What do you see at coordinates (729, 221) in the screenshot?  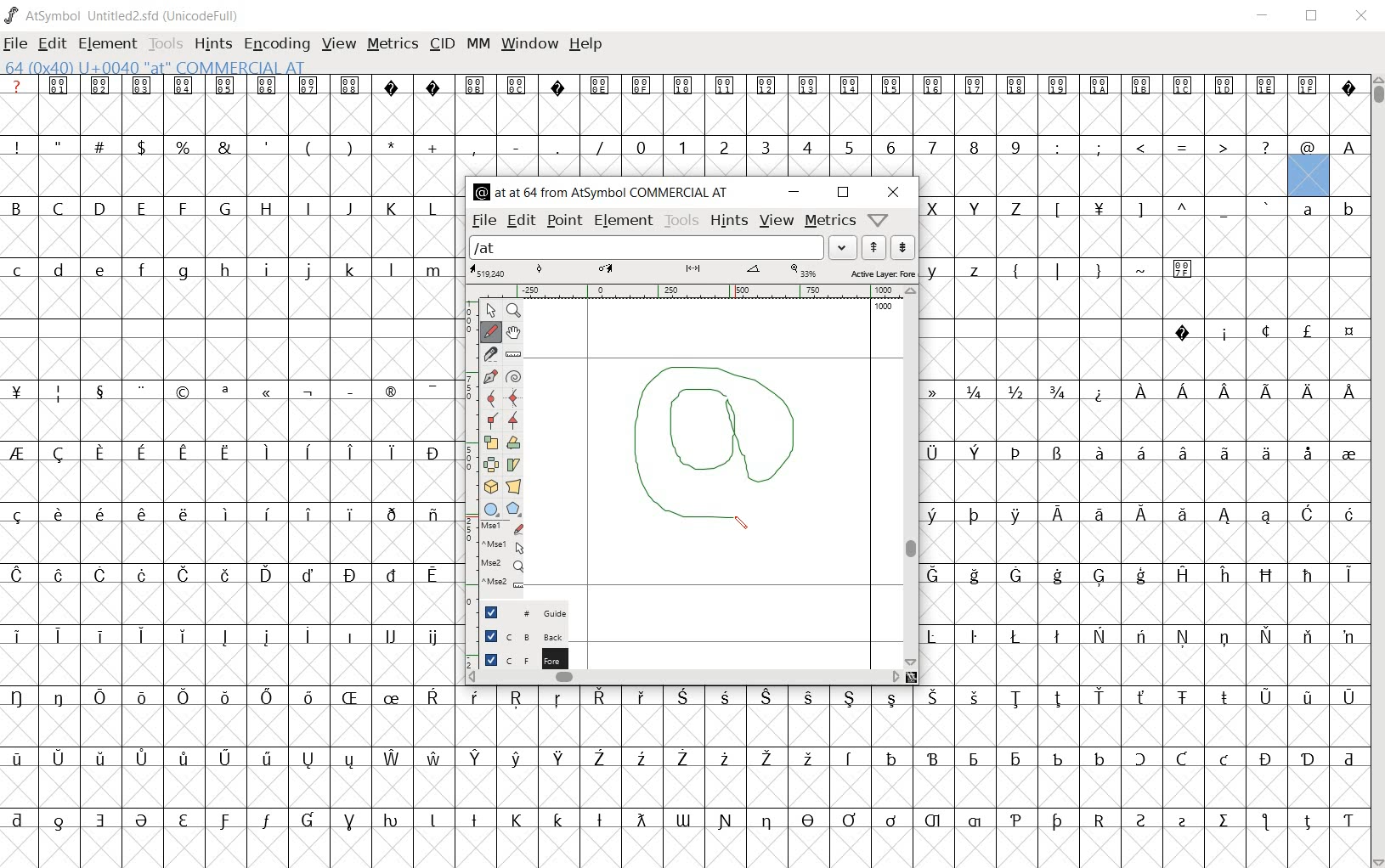 I see `hints` at bounding box center [729, 221].